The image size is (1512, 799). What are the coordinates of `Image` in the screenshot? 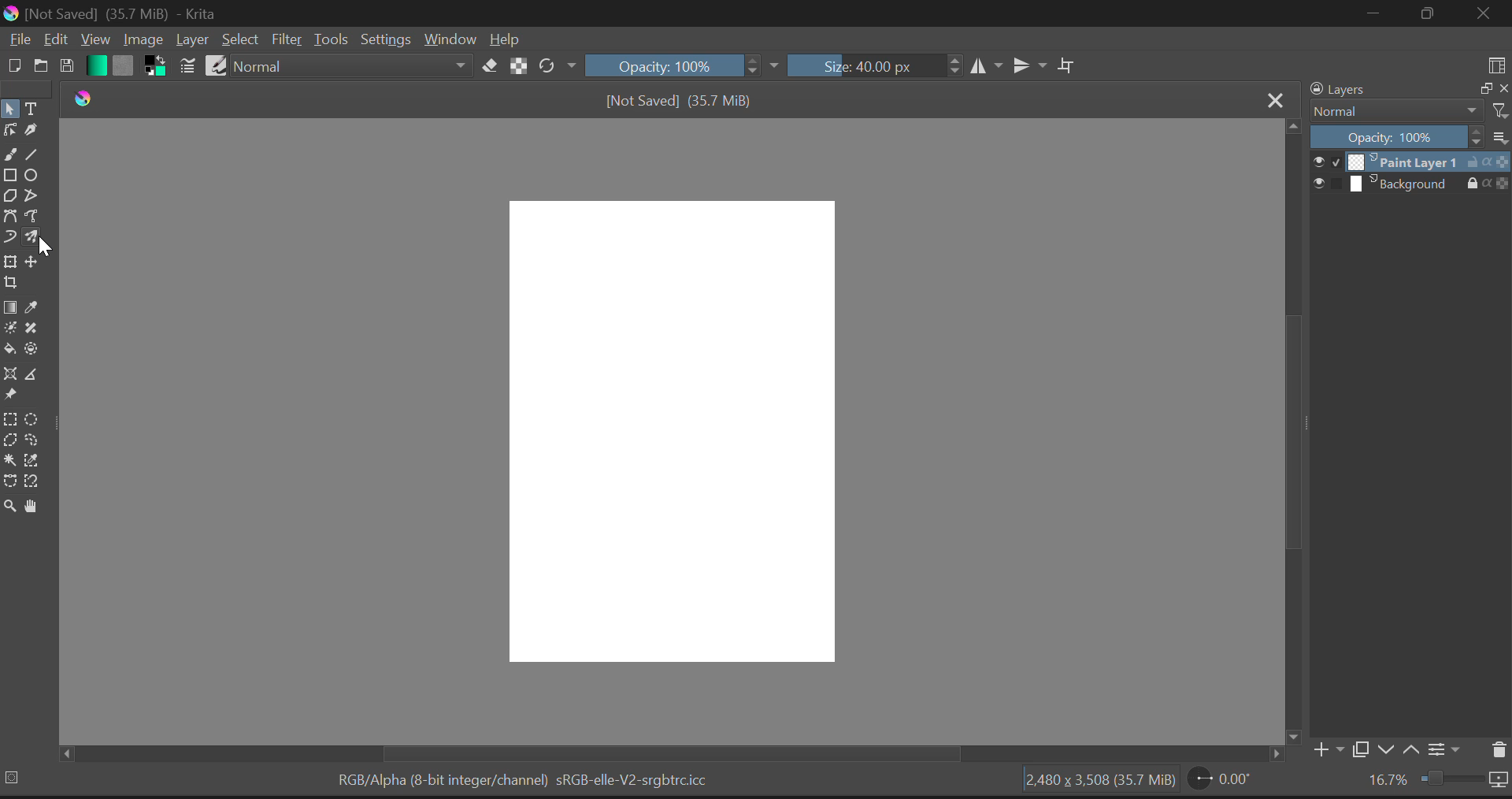 It's located at (143, 40).